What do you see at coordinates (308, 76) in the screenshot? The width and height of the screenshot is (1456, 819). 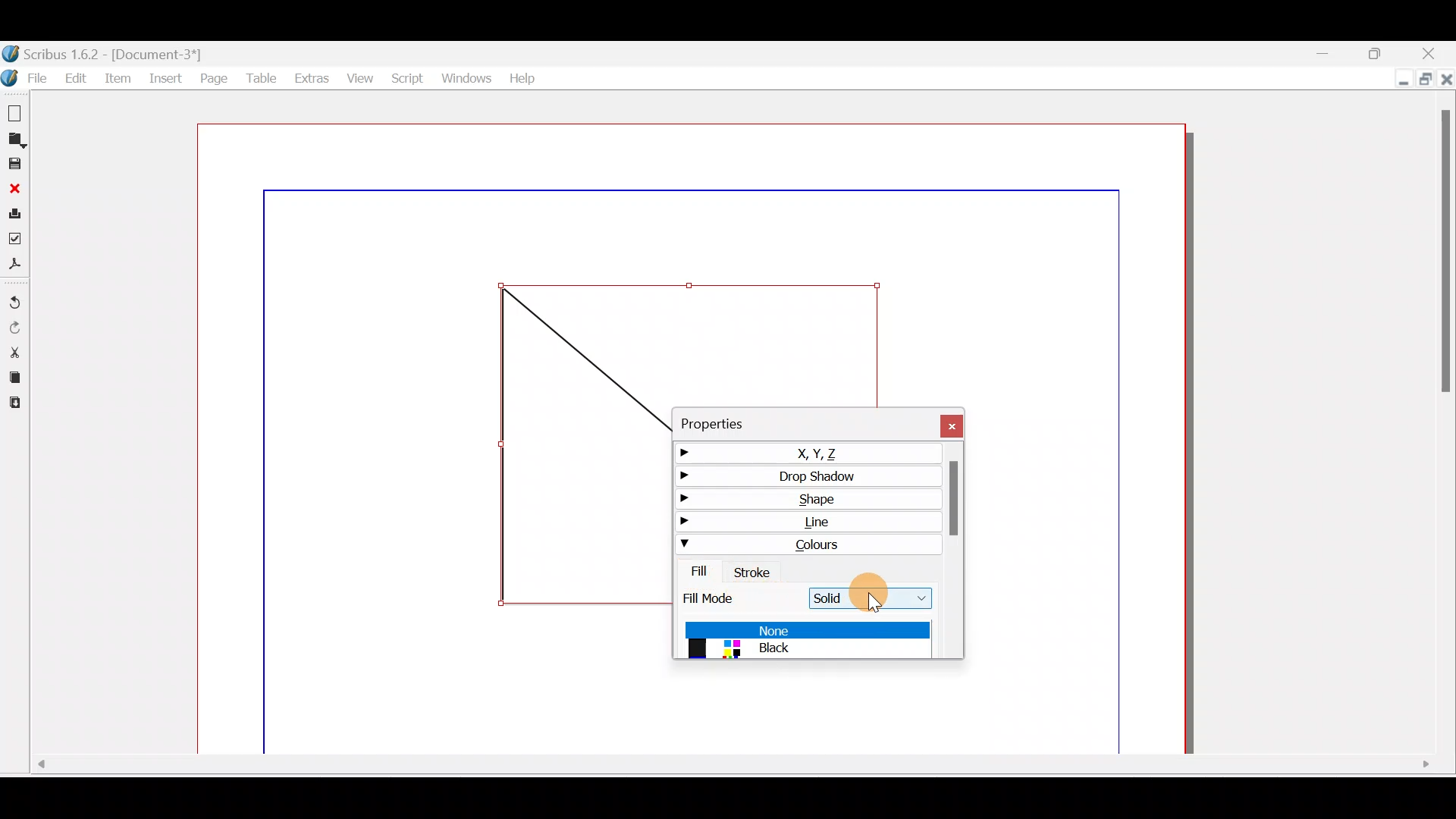 I see `Extras` at bounding box center [308, 76].